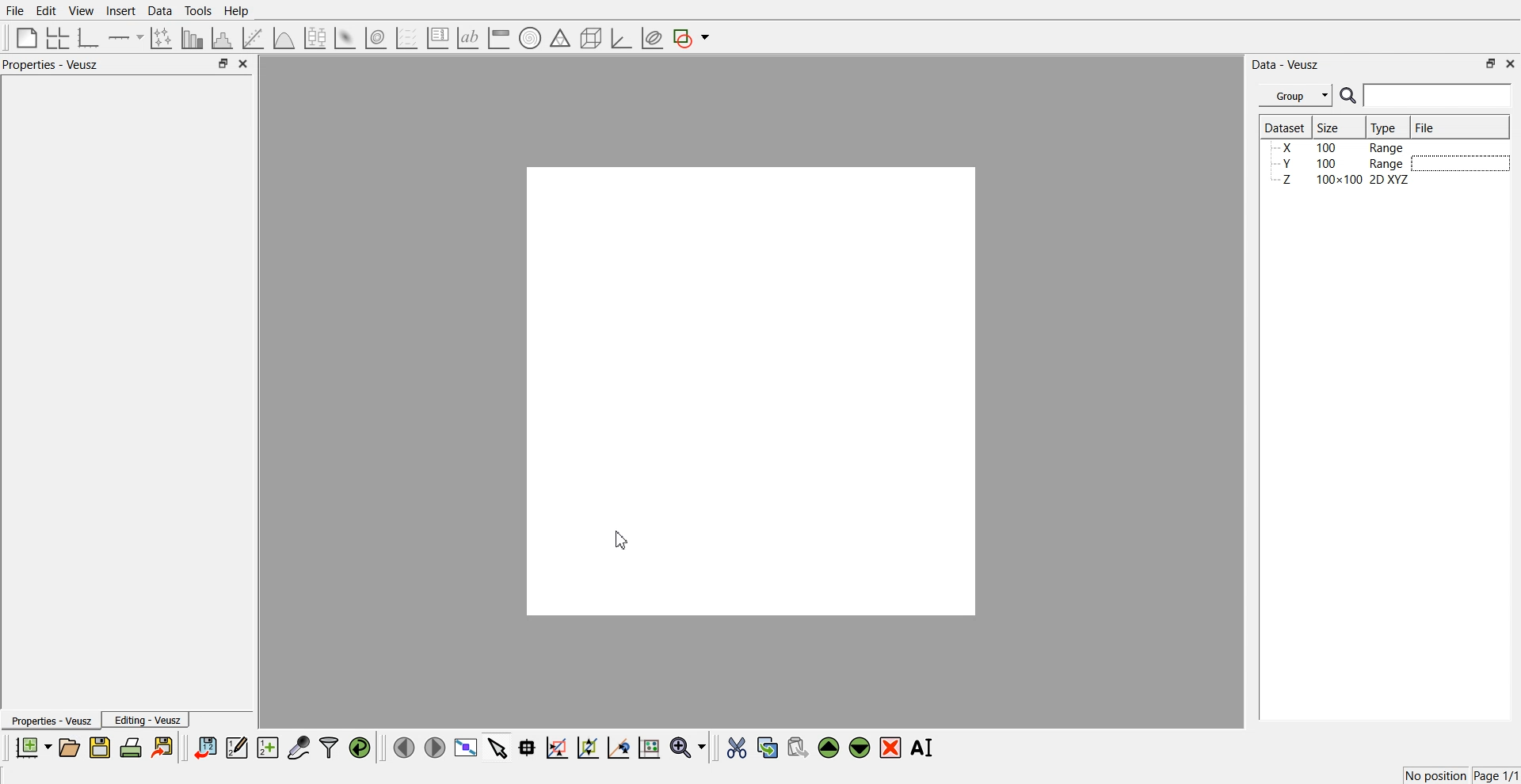 The image size is (1521, 784). I want to click on Dataset, so click(1285, 127).